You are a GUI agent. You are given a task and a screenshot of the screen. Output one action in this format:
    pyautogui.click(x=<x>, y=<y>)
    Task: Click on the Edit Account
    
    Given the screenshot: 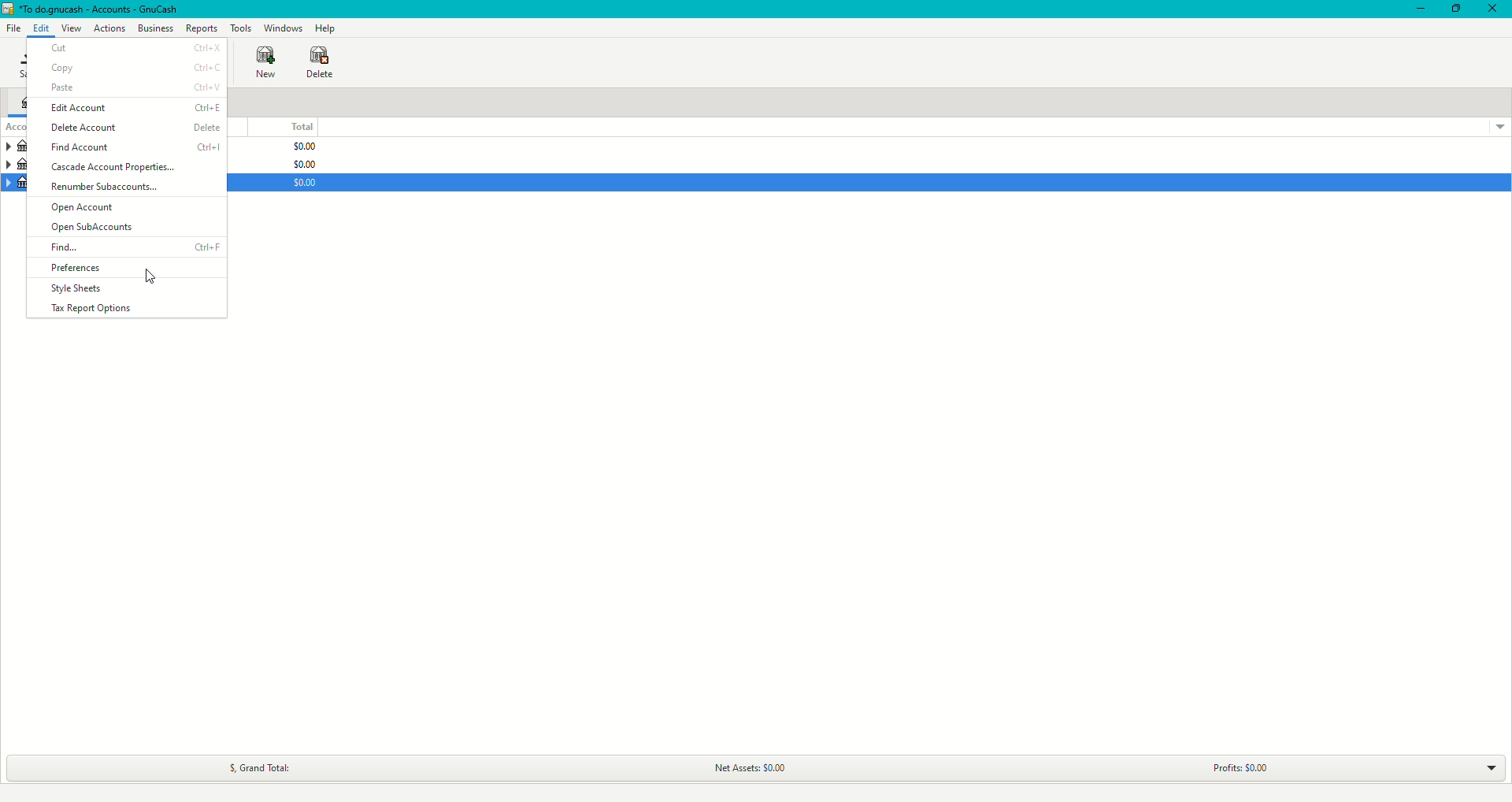 What is the action you would take?
    pyautogui.click(x=135, y=109)
    